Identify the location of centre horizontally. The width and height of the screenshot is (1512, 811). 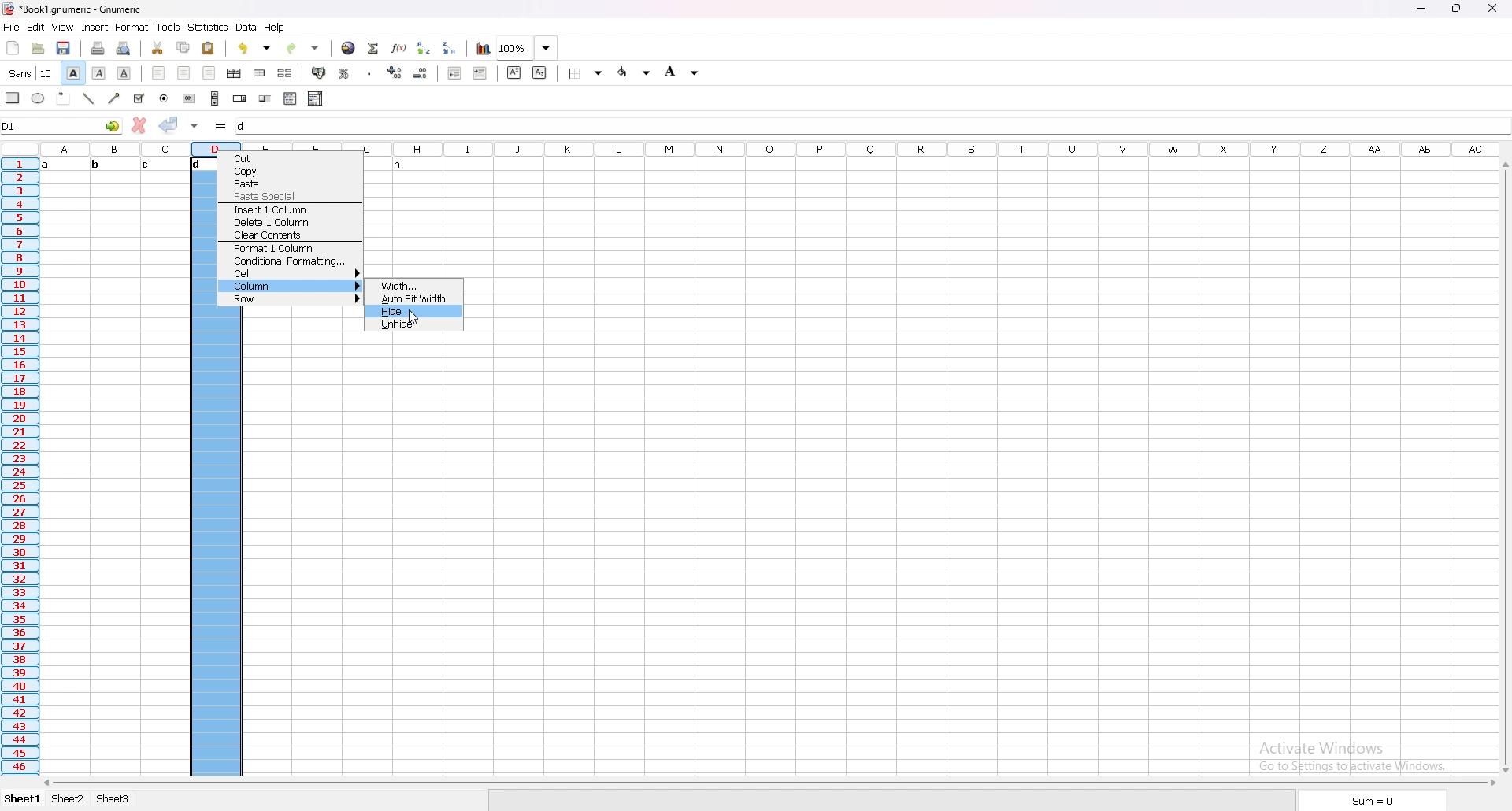
(235, 73).